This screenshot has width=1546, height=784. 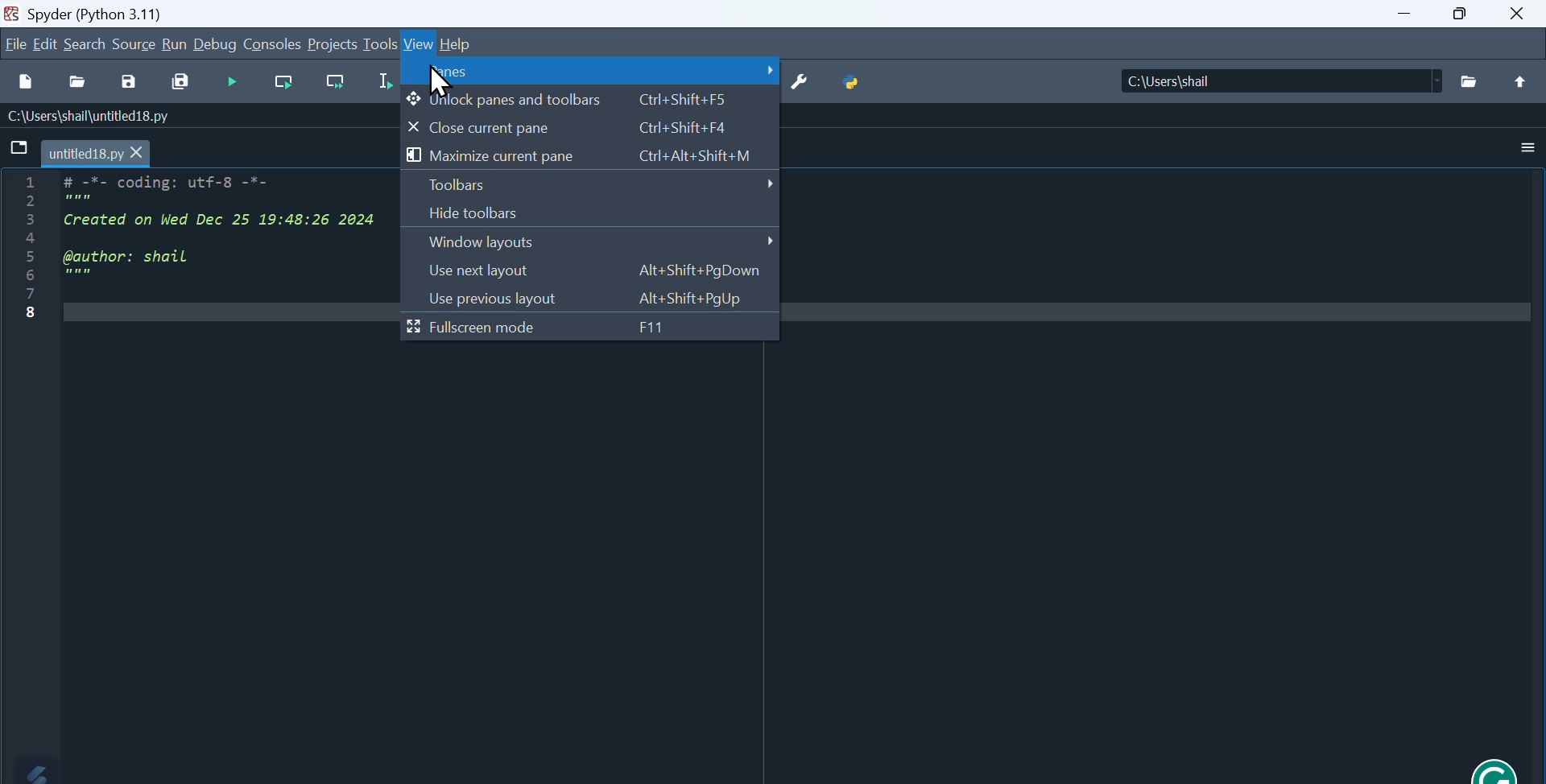 I want to click on # -*- coding: utf-8 -*-
Created on Wed Dec 25 19:48:26 2024
@author: shail, so click(x=218, y=237).